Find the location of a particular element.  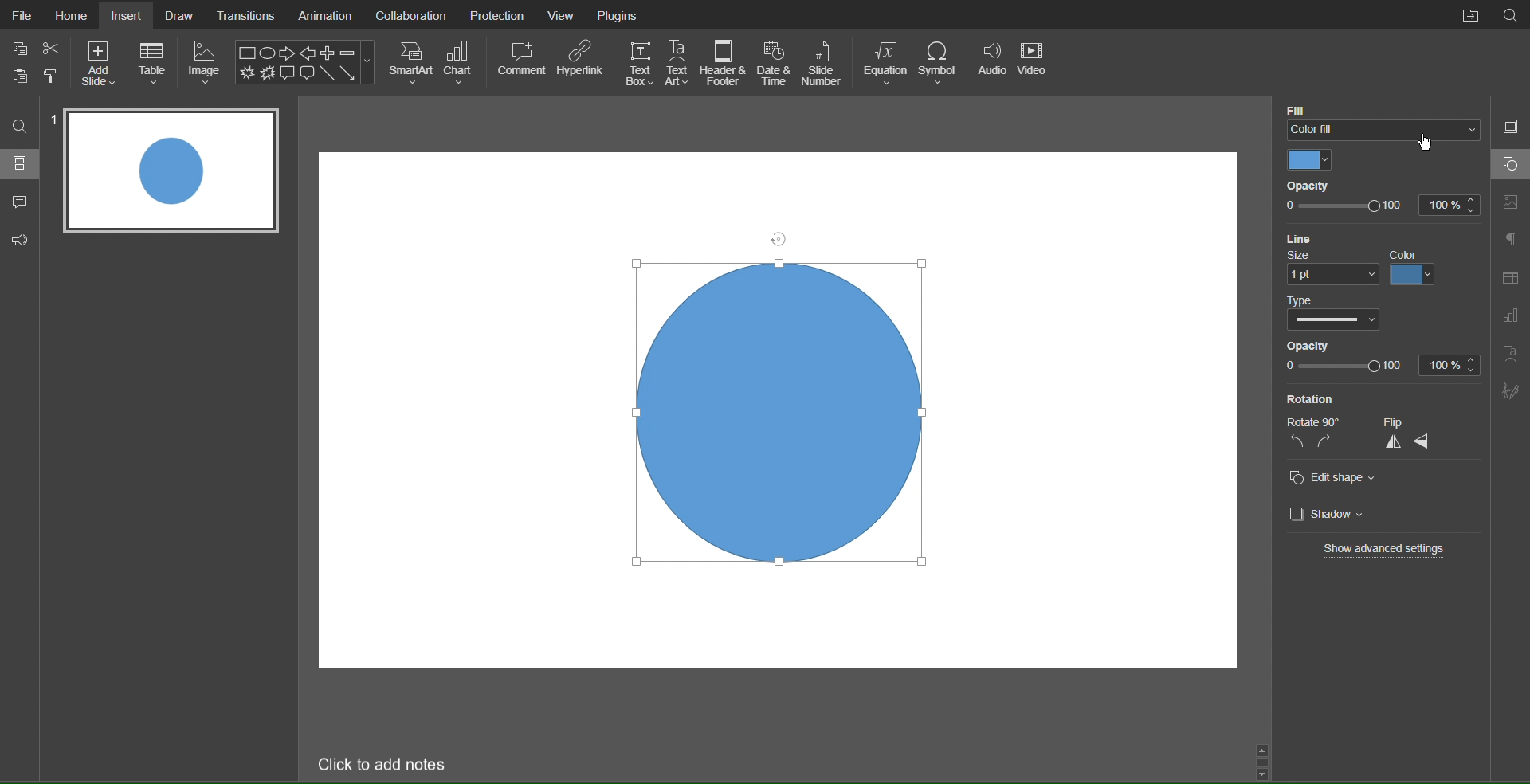

Plugins is located at coordinates (620, 14).